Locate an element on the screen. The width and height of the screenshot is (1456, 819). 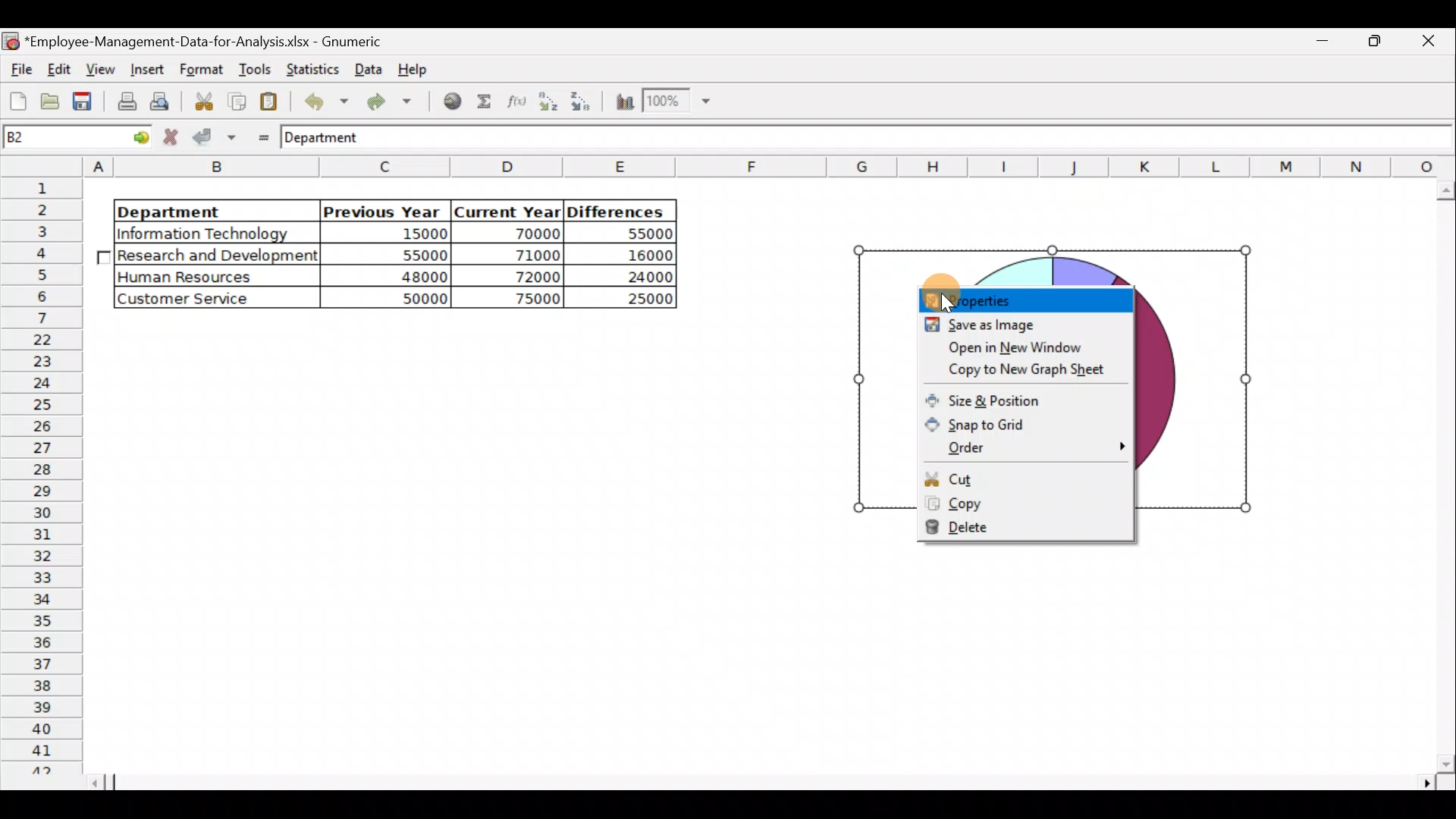
Print preview is located at coordinates (163, 101).